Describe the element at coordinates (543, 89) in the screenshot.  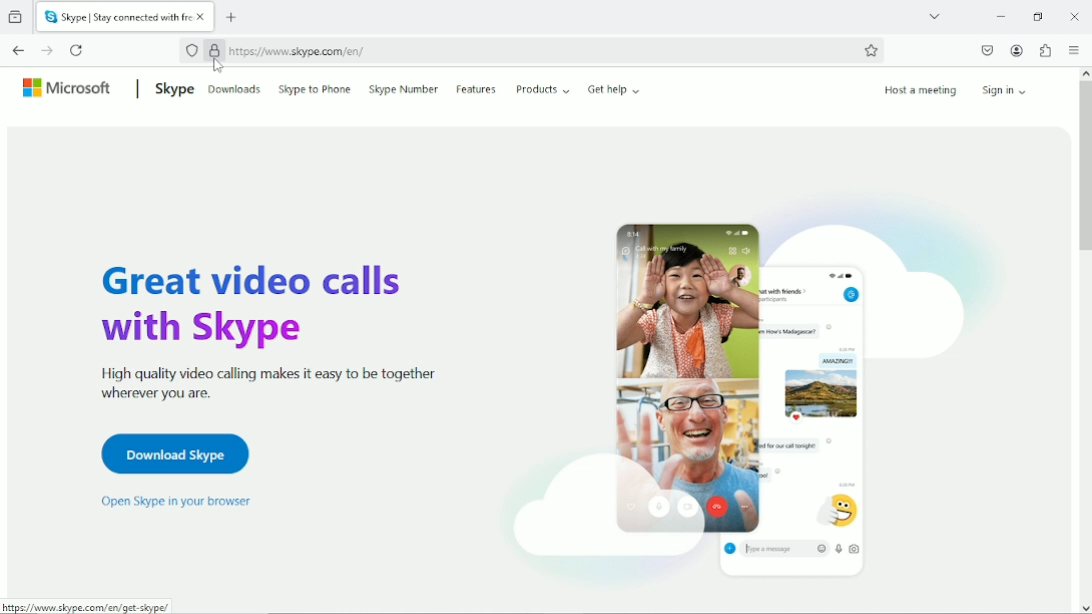
I see `Products` at that location.